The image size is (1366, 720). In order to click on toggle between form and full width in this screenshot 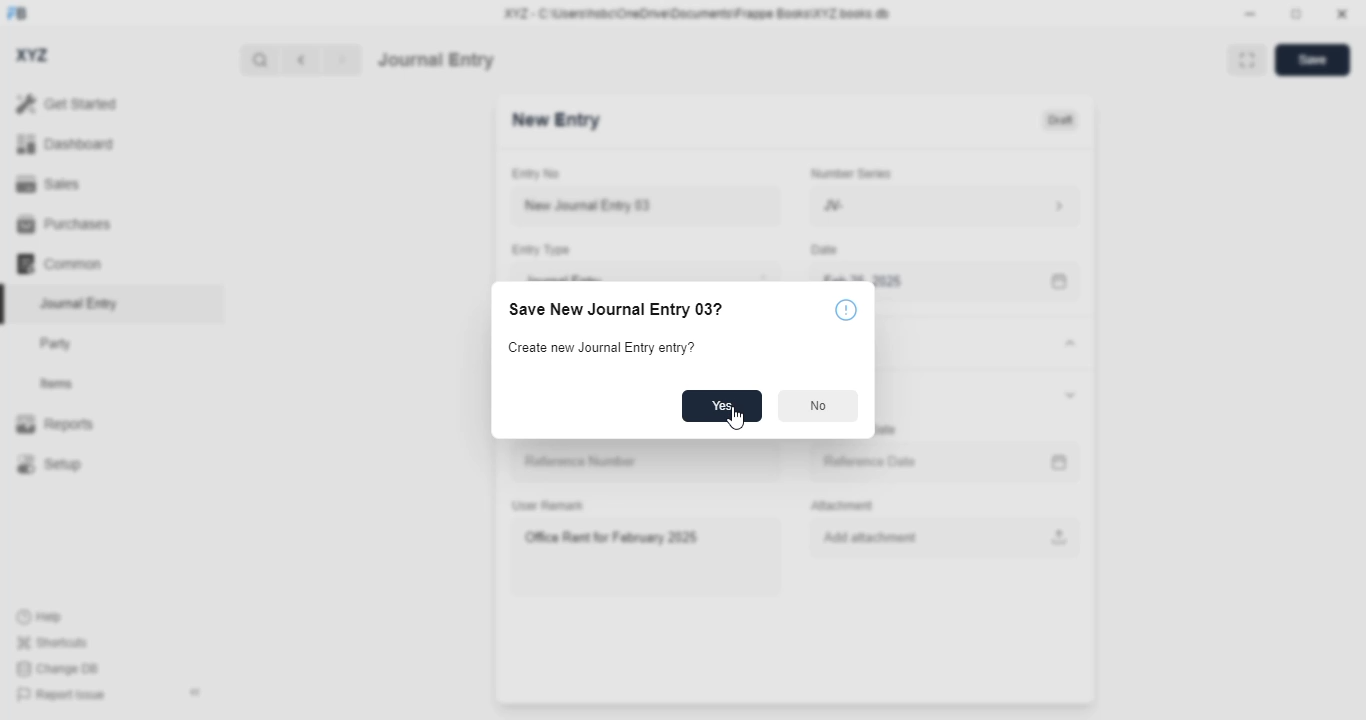, I will do `click(1248, 60)`.